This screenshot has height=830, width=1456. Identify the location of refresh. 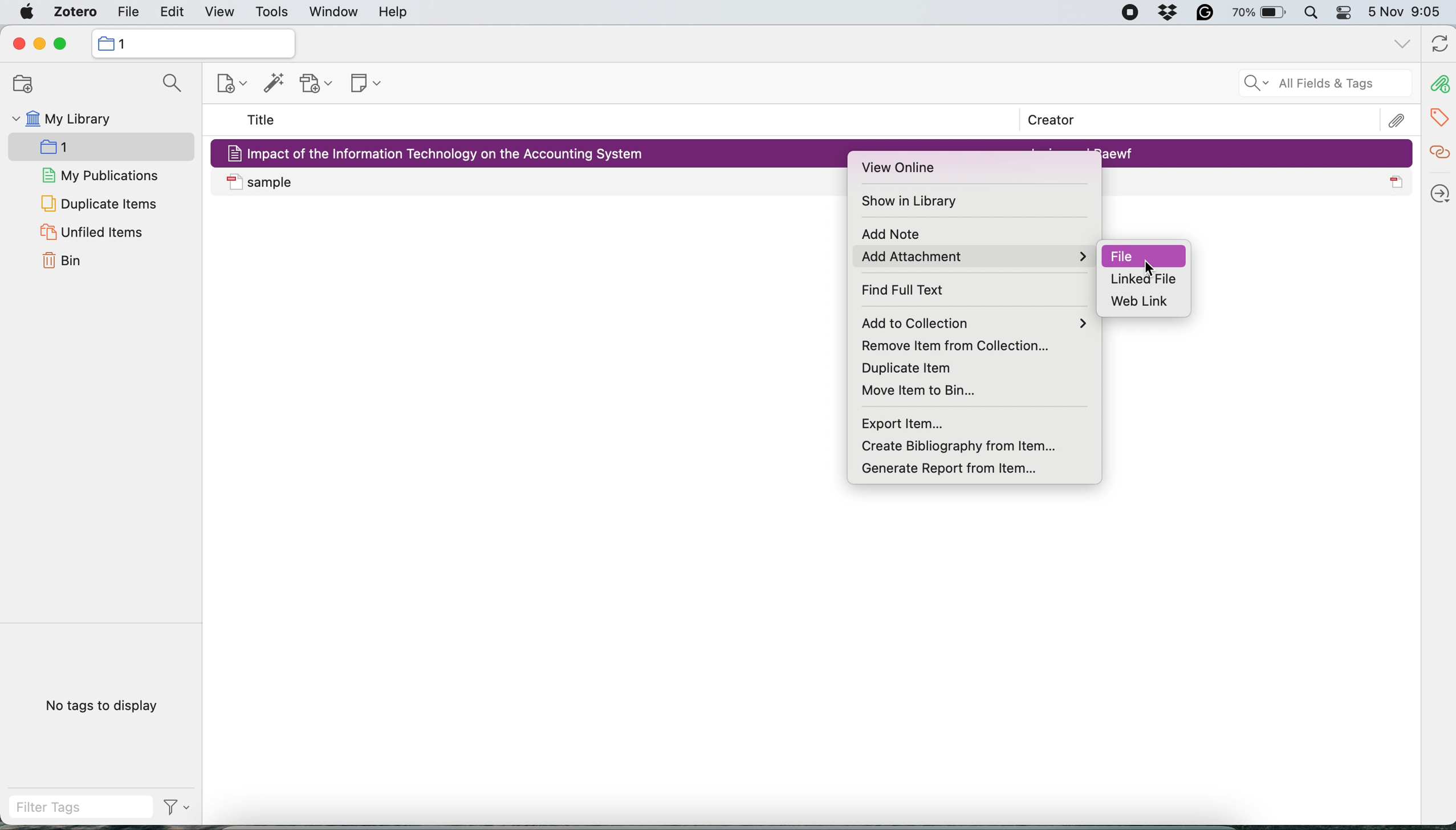
(1437, 45).